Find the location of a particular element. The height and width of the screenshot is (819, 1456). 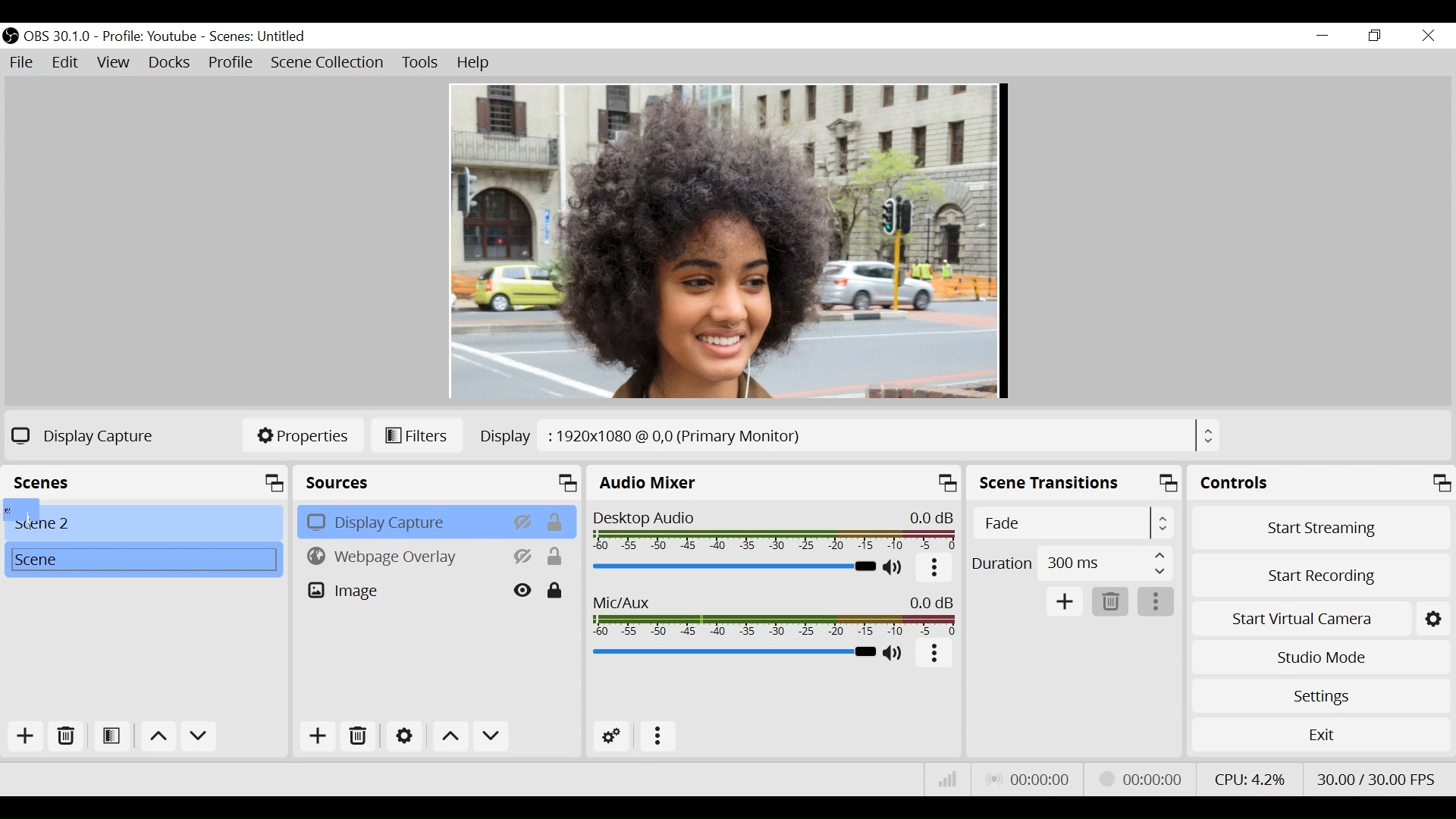

Desktop Audio is located at coordinates (777, 528).